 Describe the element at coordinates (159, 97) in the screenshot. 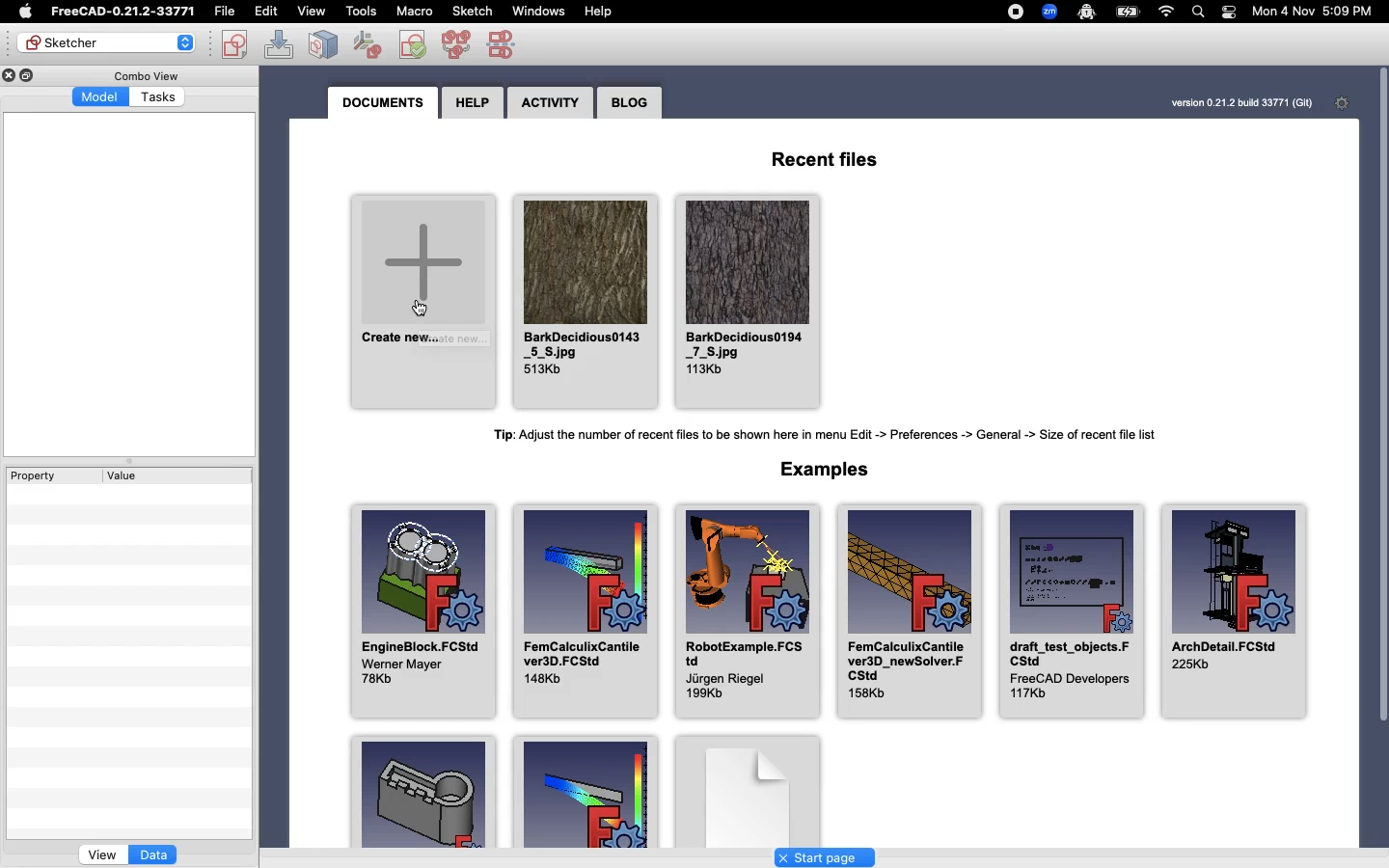

I see `Tasks` at that location.